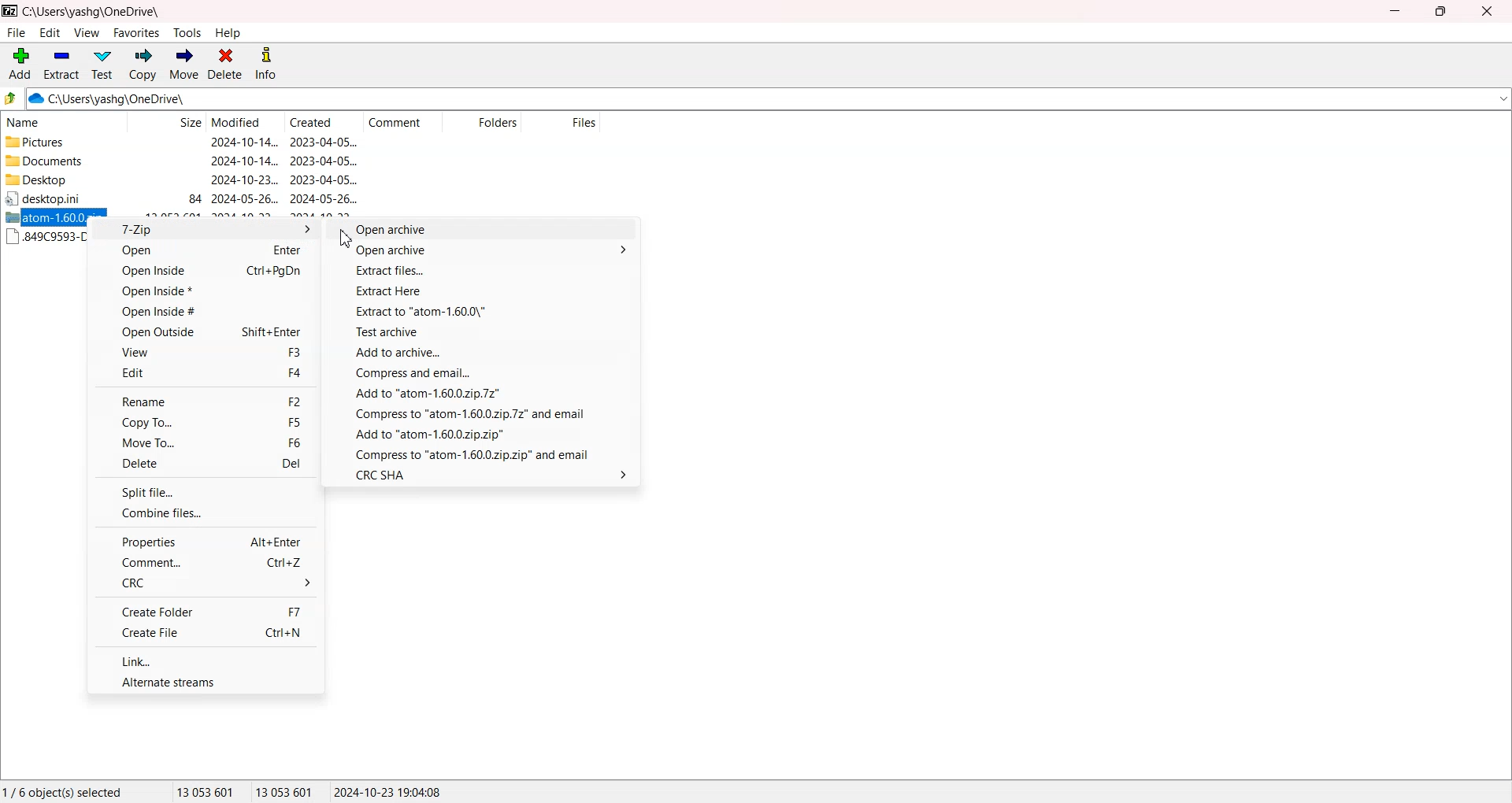  What do you see at coordinates (61, 142) in the screenshot?
I see `Pictures file` at bounding box center [61, 142].